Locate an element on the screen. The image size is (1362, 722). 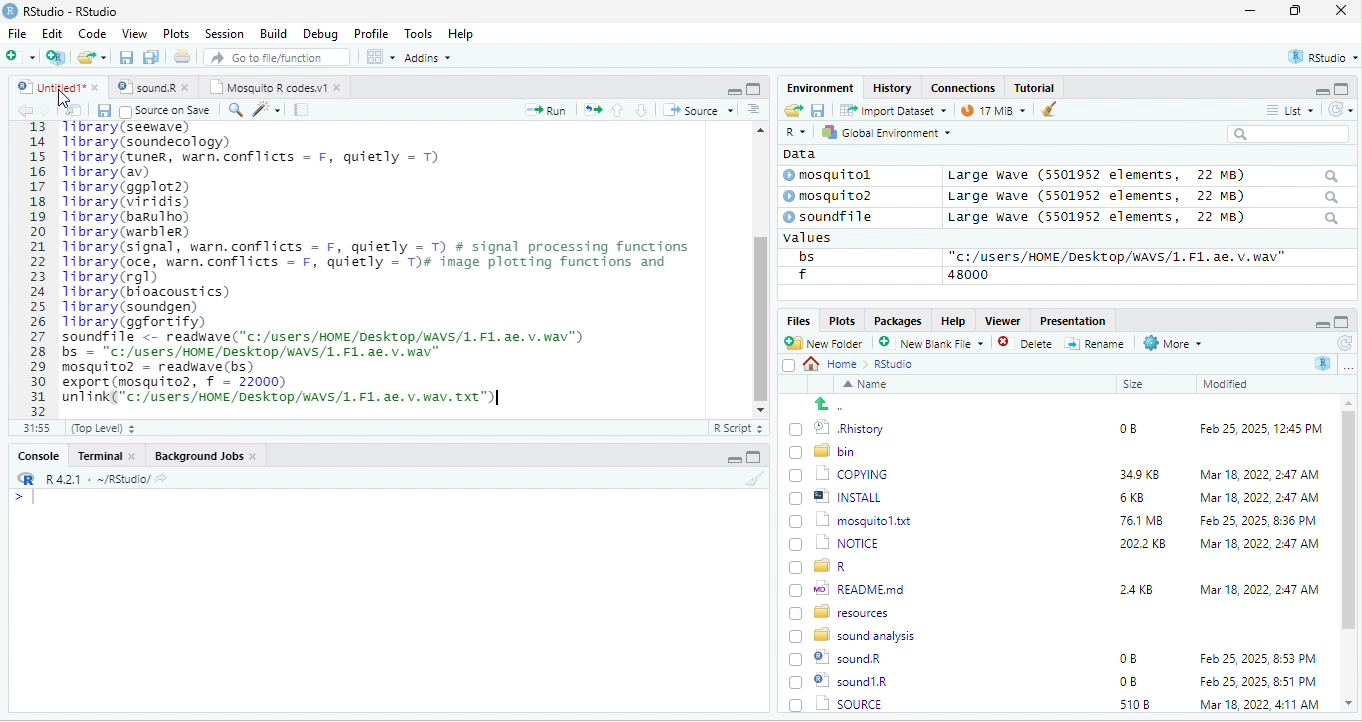
open is located at coordinates (184, 59).